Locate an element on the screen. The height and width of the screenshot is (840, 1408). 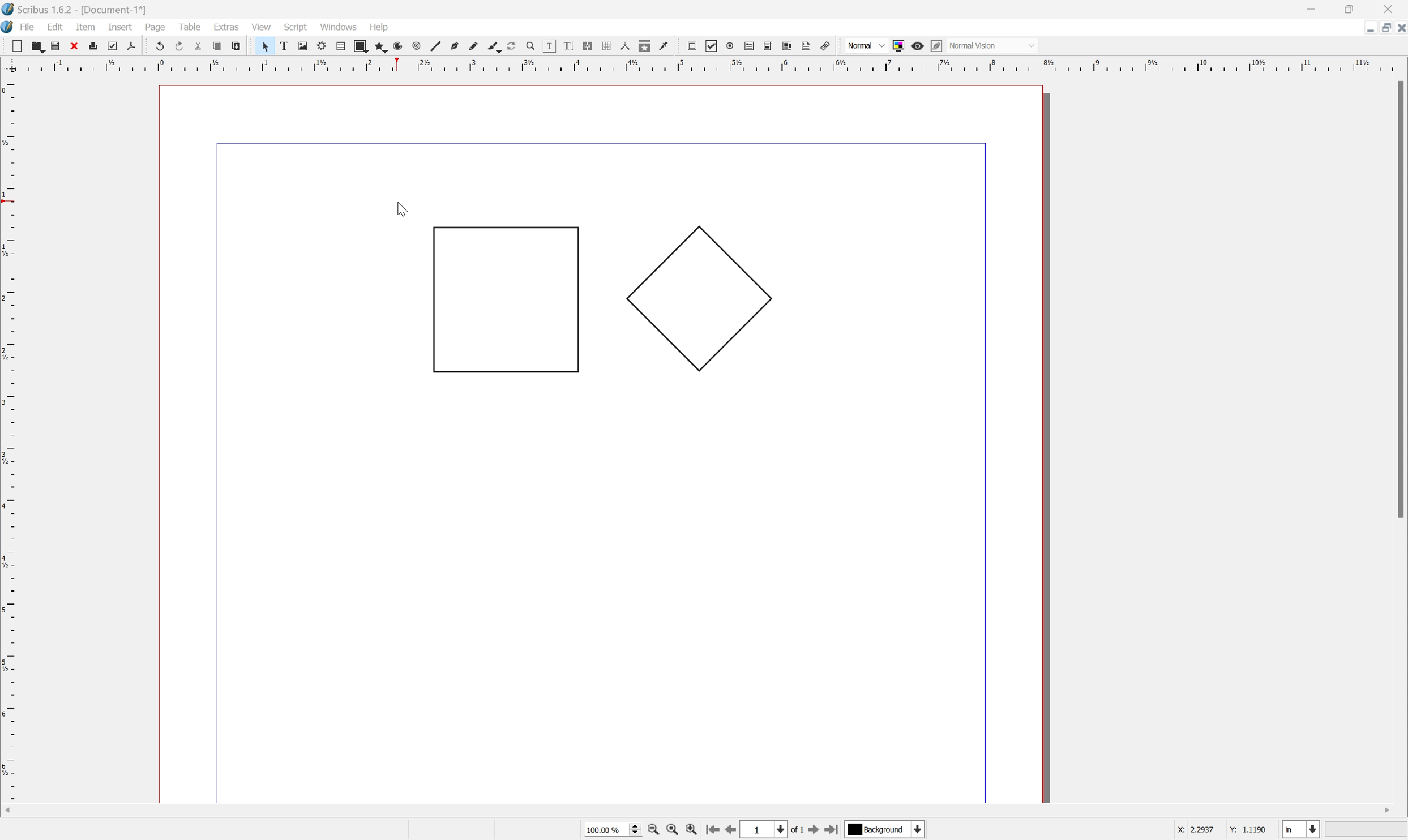
print is located at coordinates (92, 46).